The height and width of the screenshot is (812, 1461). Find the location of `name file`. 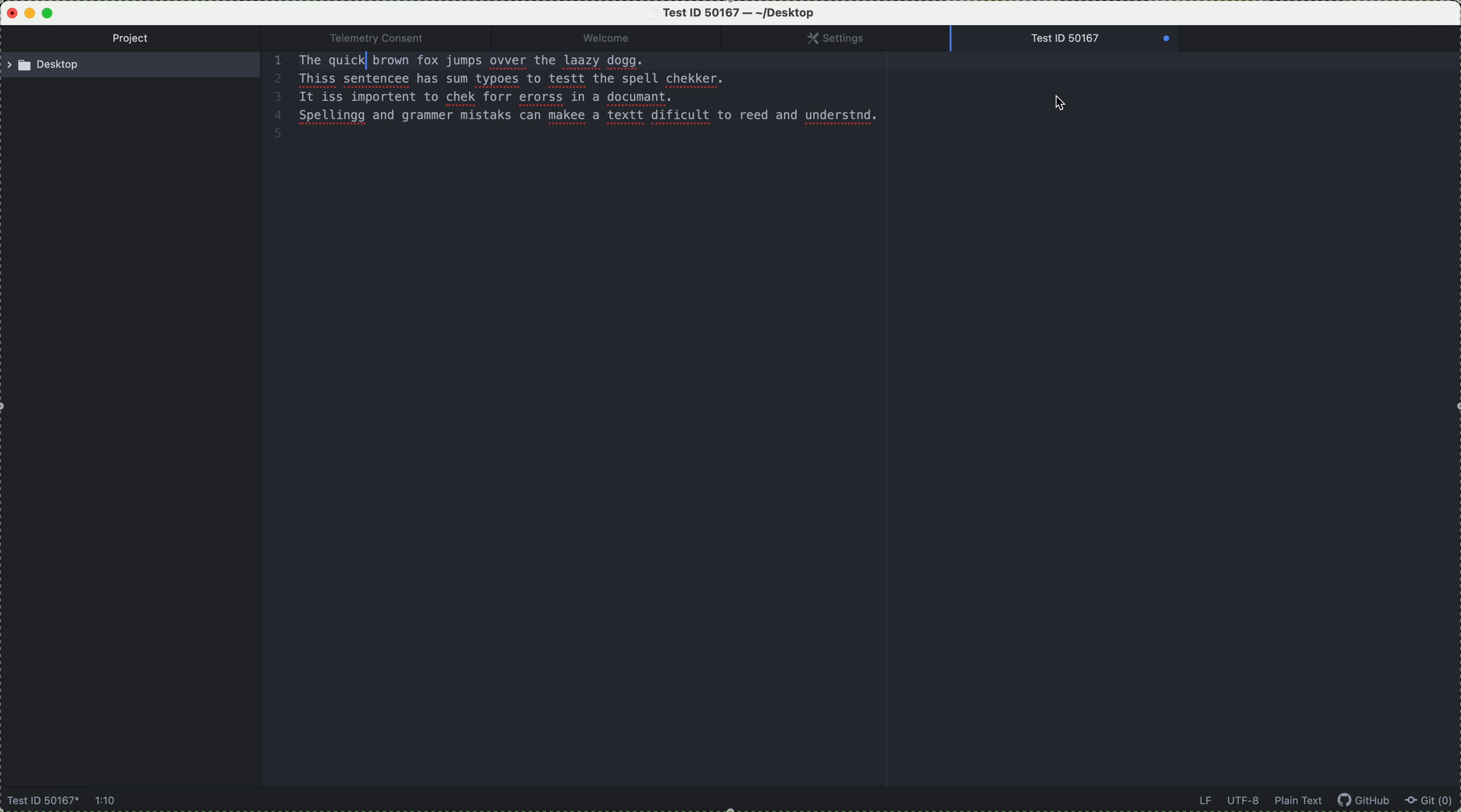

name file is located at coordinates (40, 802).